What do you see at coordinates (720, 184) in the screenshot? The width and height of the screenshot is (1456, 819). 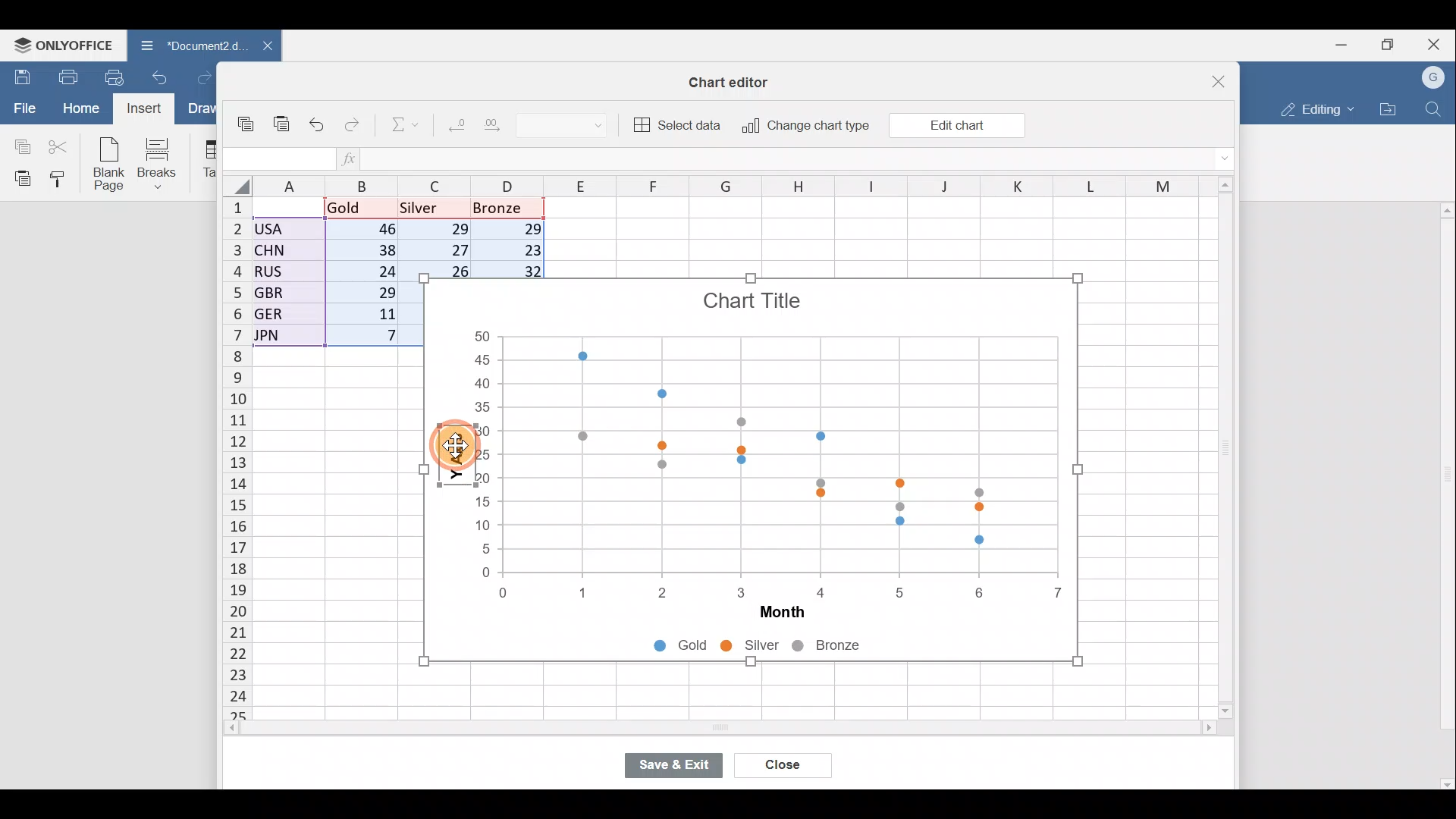 I see `Columns` at bounding box center [720, 184].